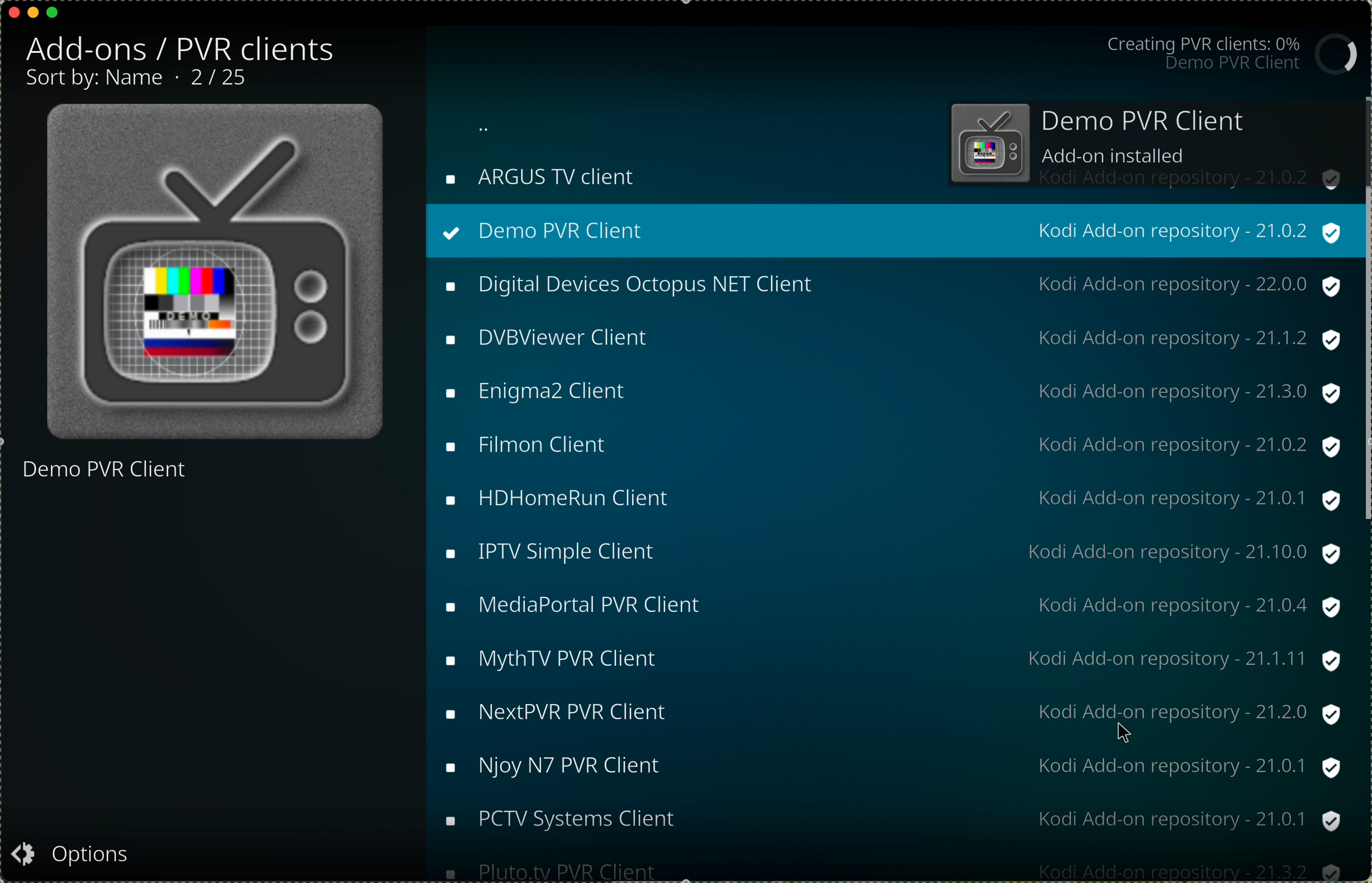 The width and height of the screenshot is (1372, 883). Describe the element at coordinates (889, 607) in the screenshot. I see `` at that location.